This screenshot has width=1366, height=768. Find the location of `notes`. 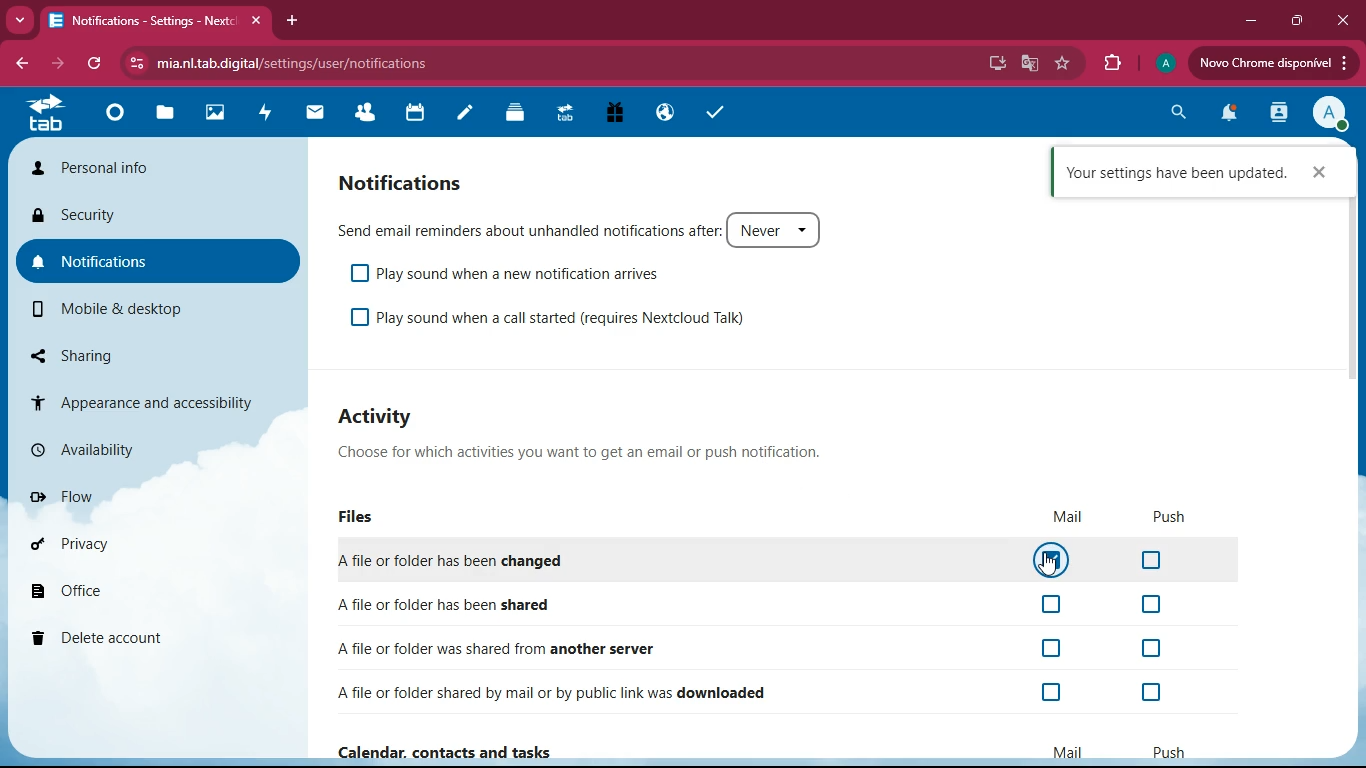

notes is located at coordinates (468, 116).